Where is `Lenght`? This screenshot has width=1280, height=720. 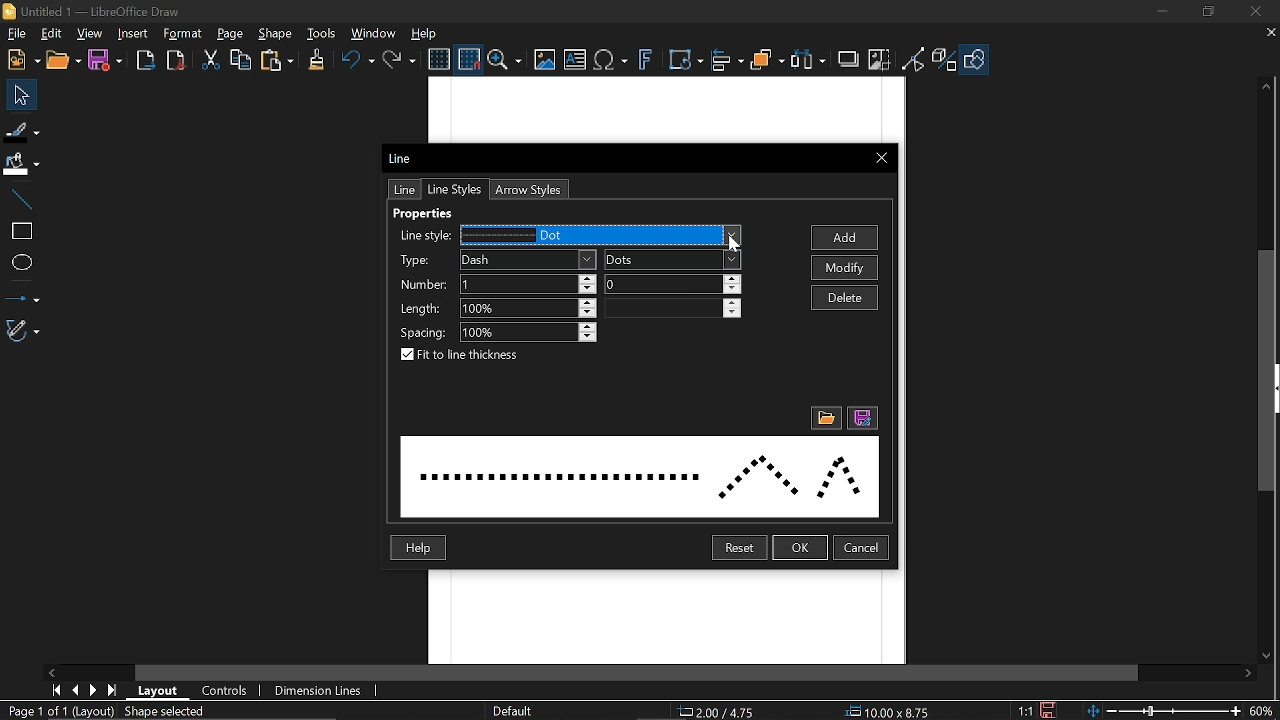
Lenght is located at coordinates (673, 308).